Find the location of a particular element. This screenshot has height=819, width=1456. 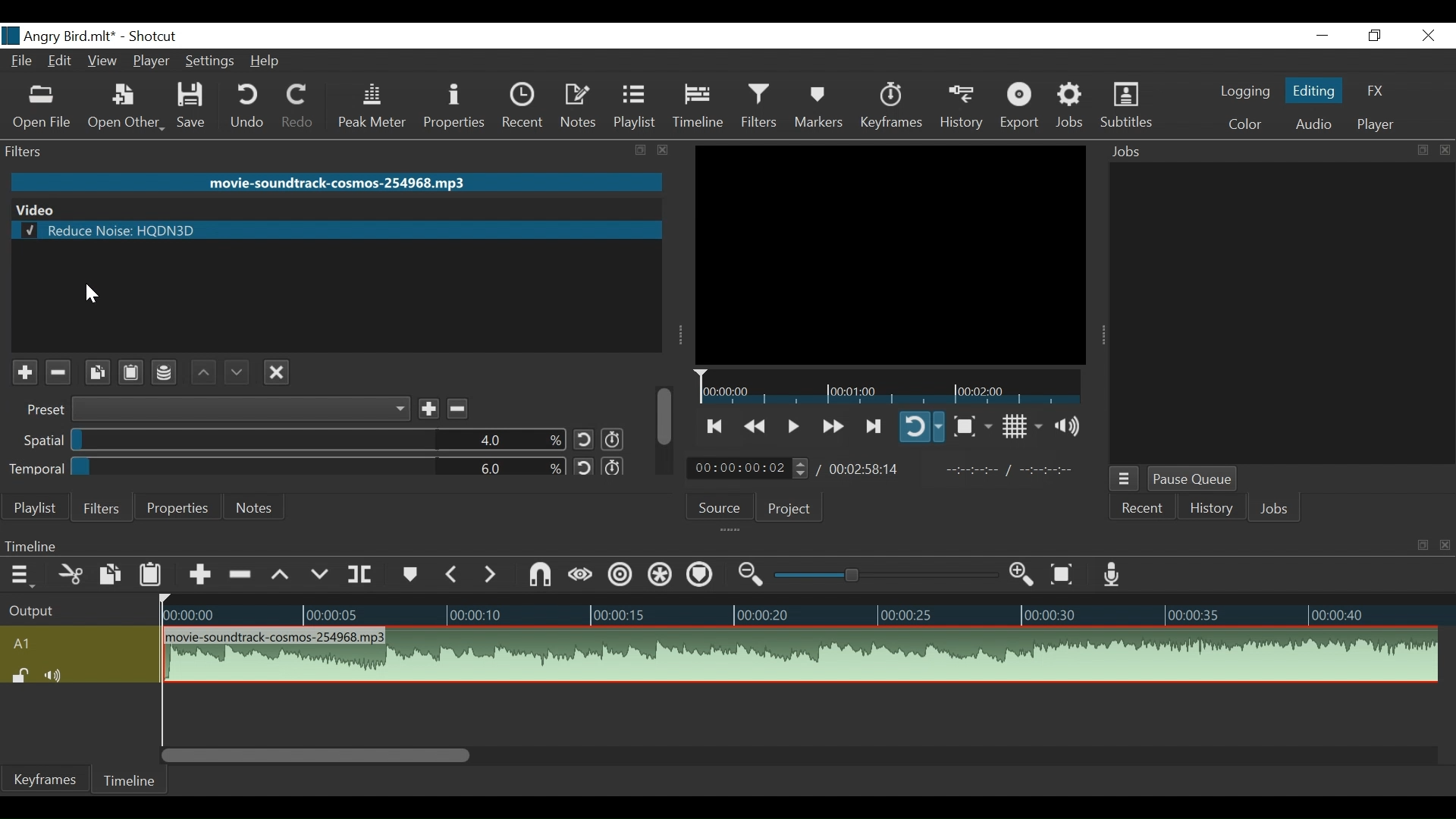

Settings is located at coordinates (208, 61).